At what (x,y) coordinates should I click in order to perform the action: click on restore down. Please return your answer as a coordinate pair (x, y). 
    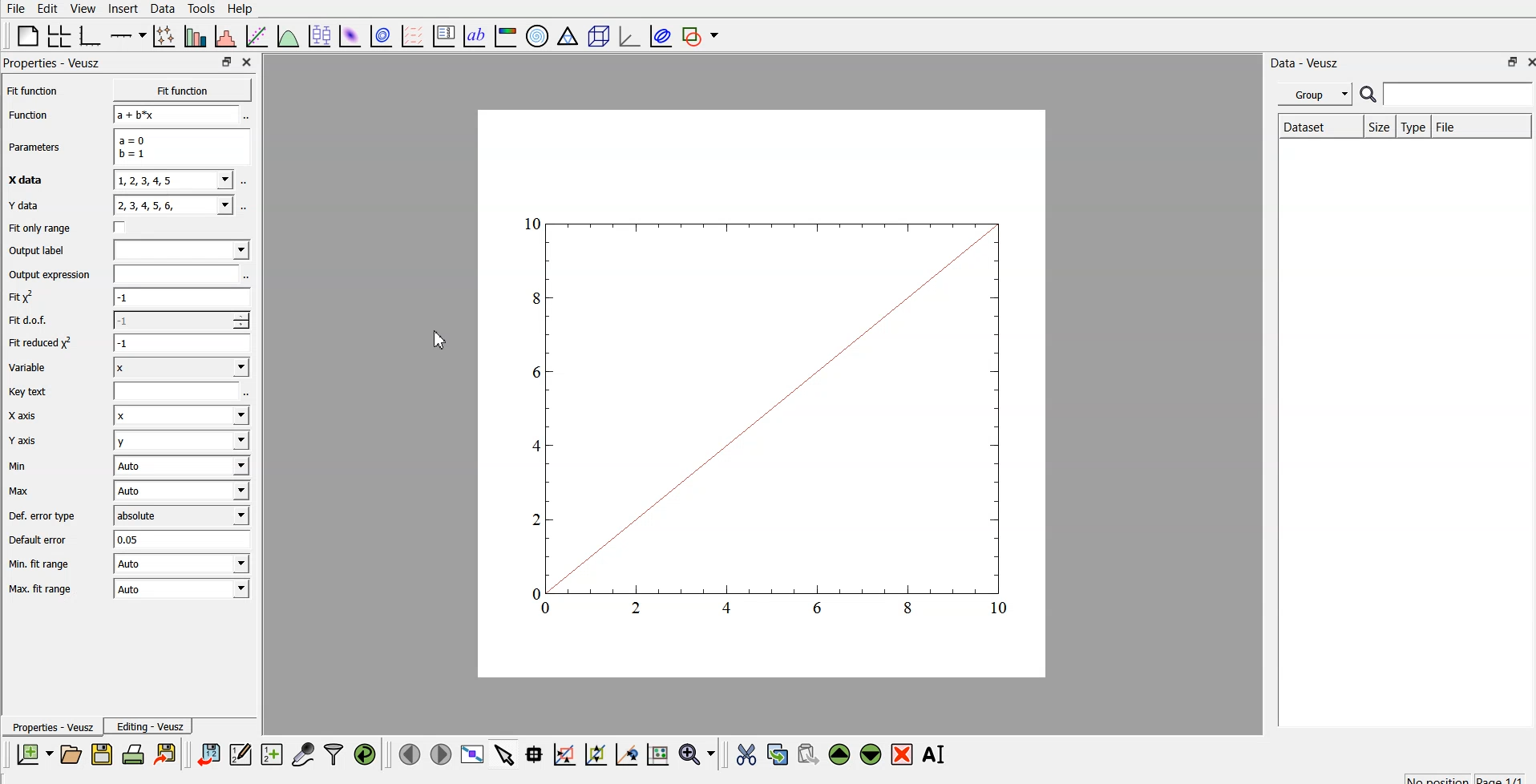
    Looking at the image, I should click on (1506, 65).